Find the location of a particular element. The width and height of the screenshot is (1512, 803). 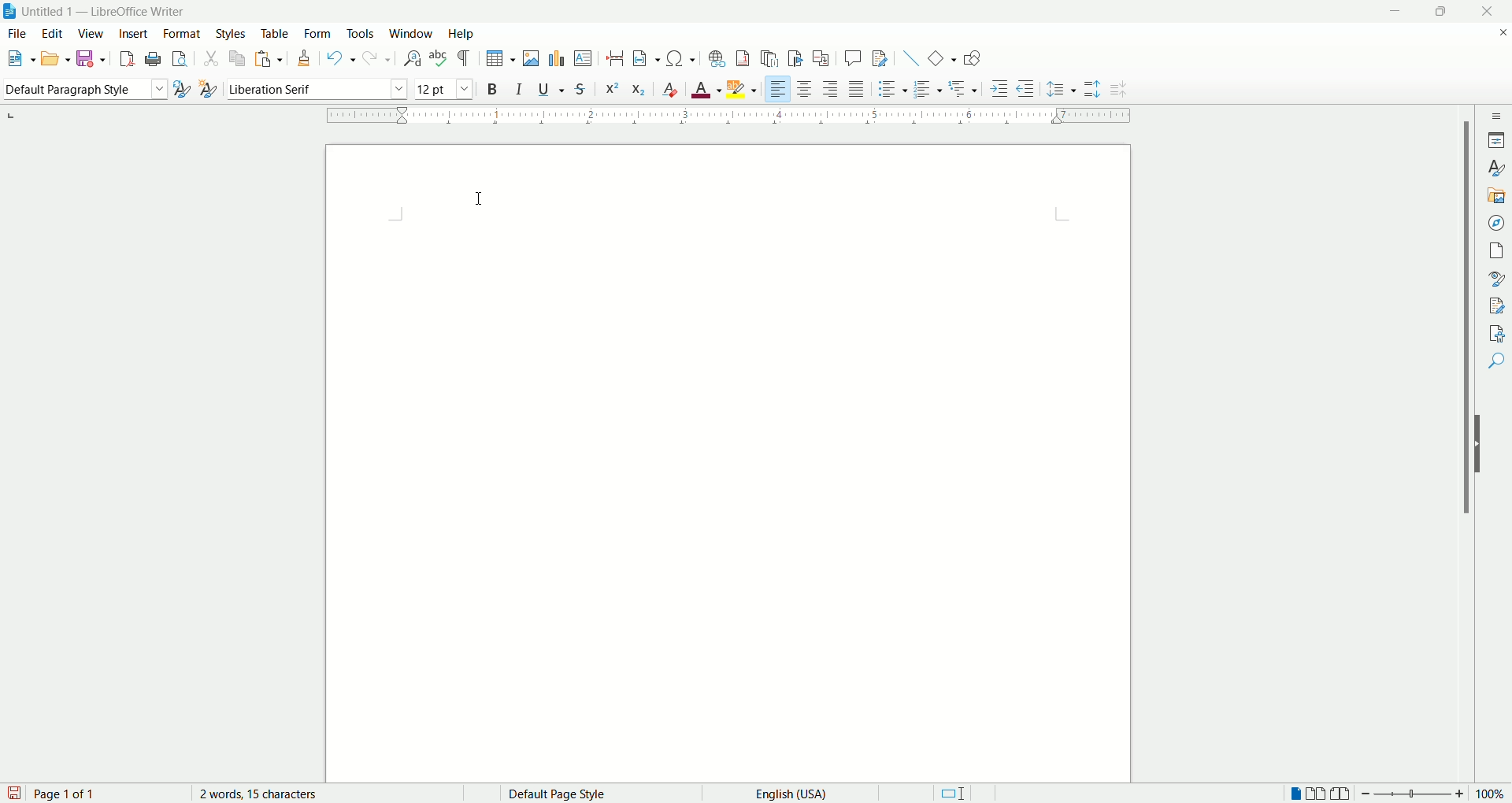

insert symbol is located at coordinates (680, 57).